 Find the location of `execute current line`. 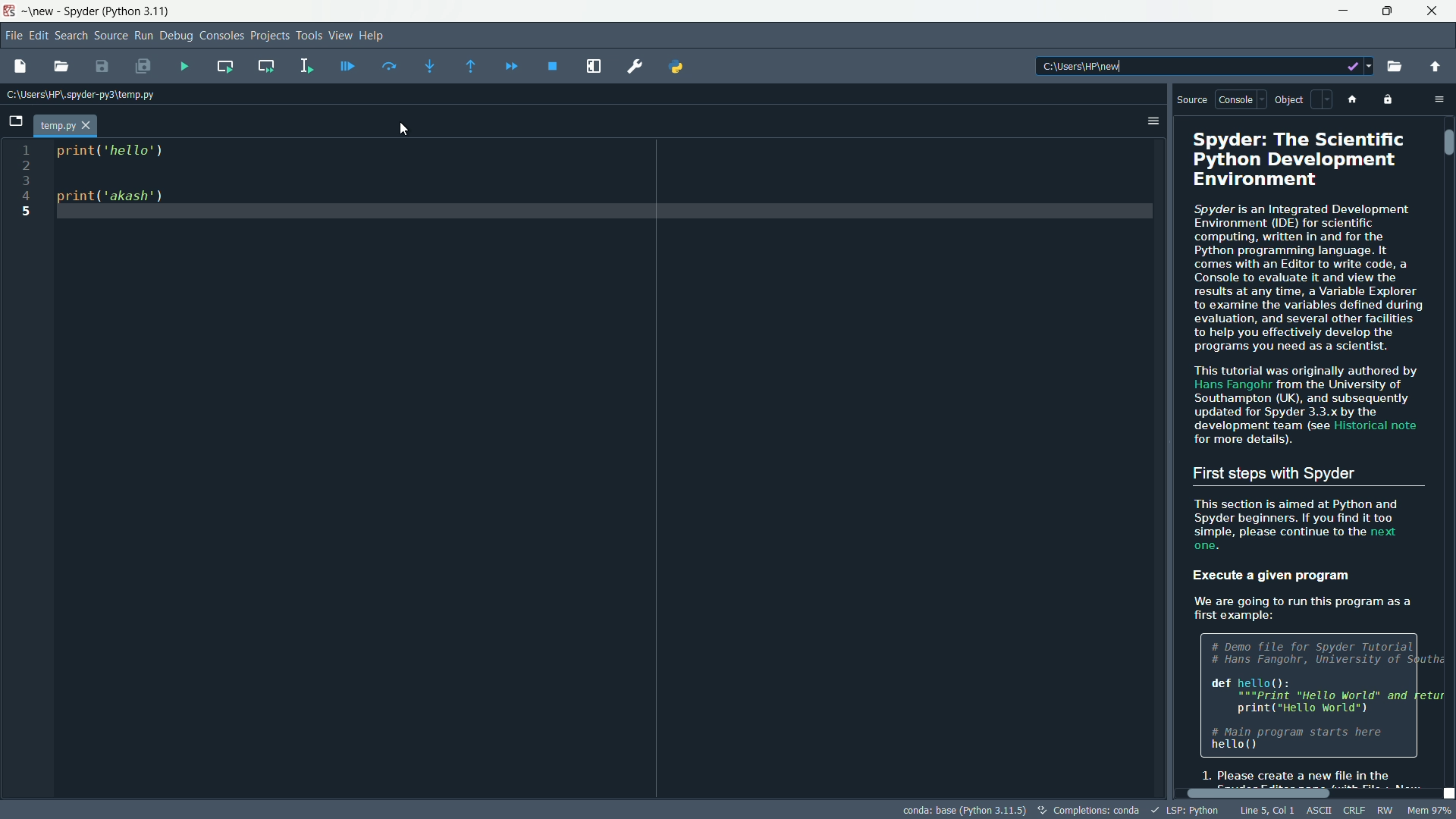

execute current line is located at coordinates (388, 66).